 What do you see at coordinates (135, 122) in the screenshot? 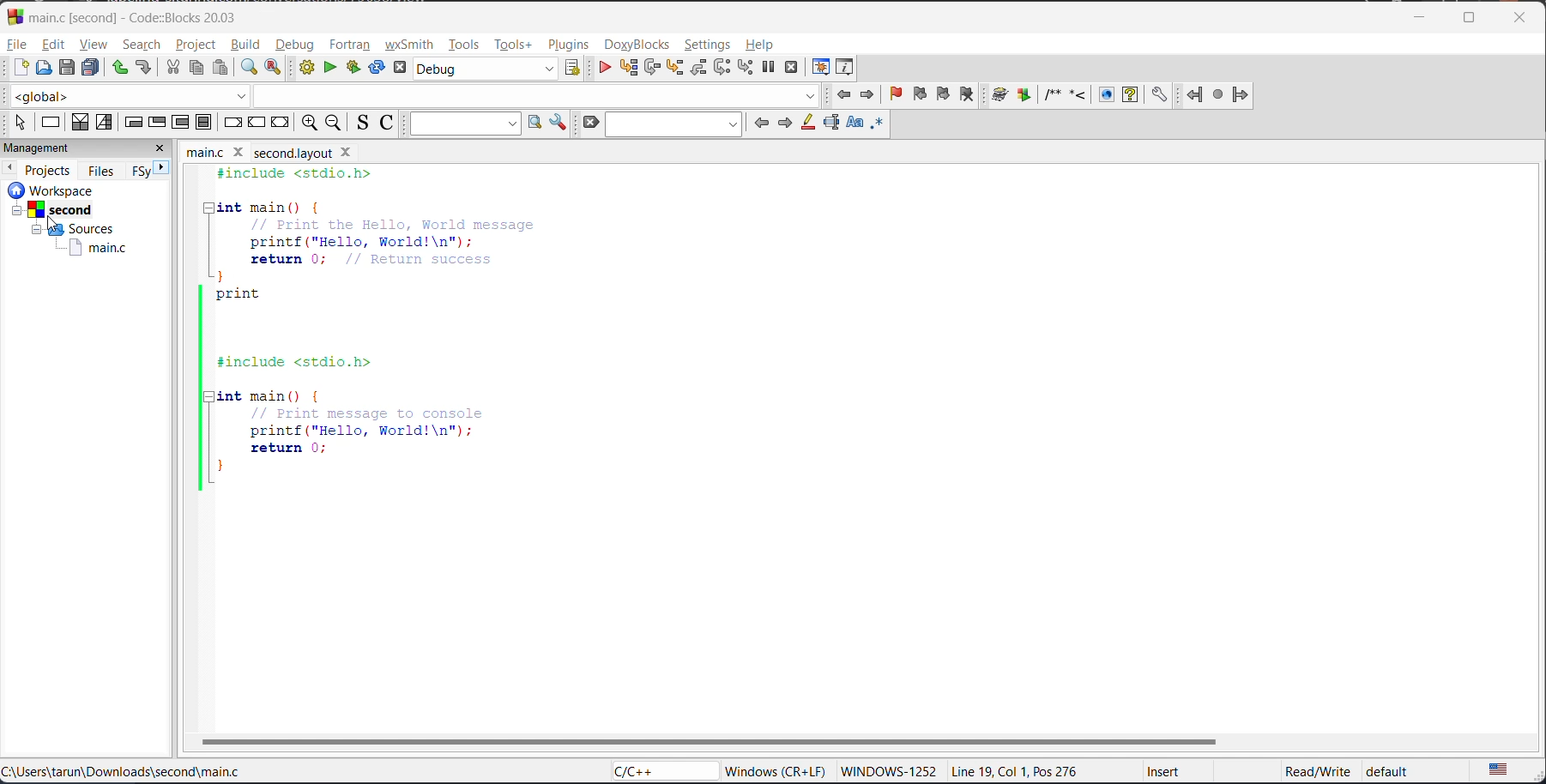
I see `entry condition loop` at bounding box center [135, 122].